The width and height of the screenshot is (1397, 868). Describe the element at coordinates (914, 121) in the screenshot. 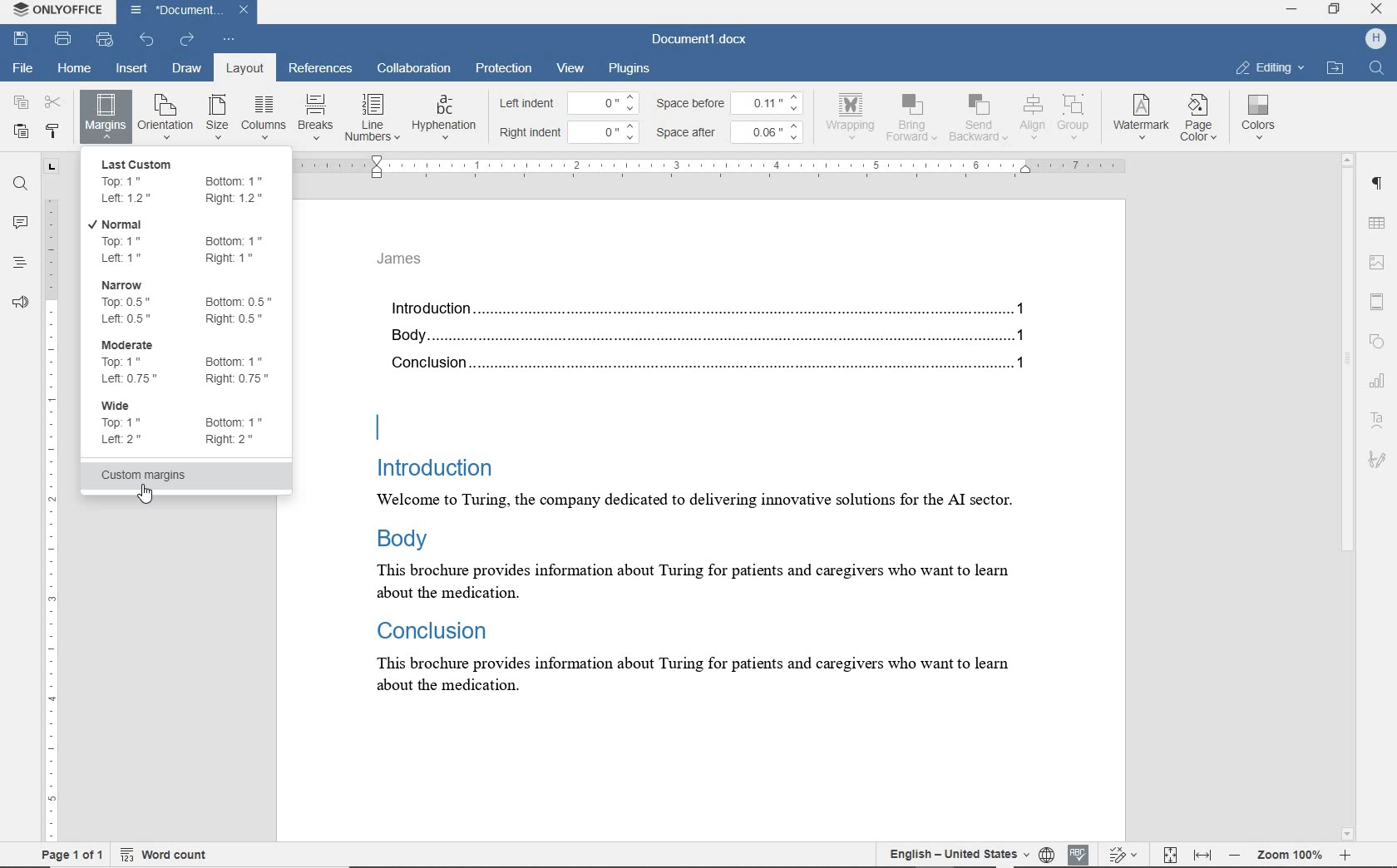

I see `bring forward` at that location.